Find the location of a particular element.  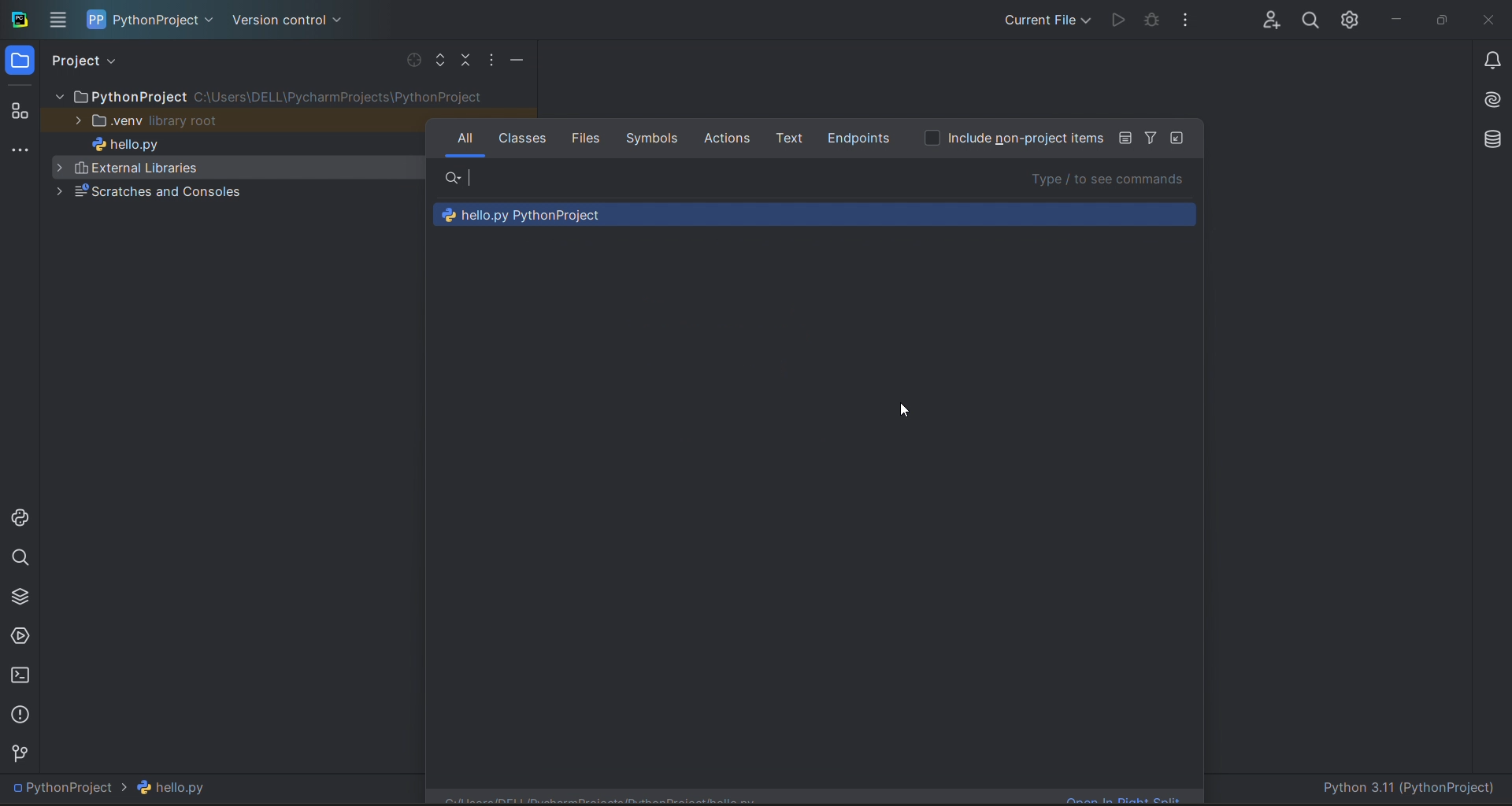

menu is located at coordinates (56, 20).